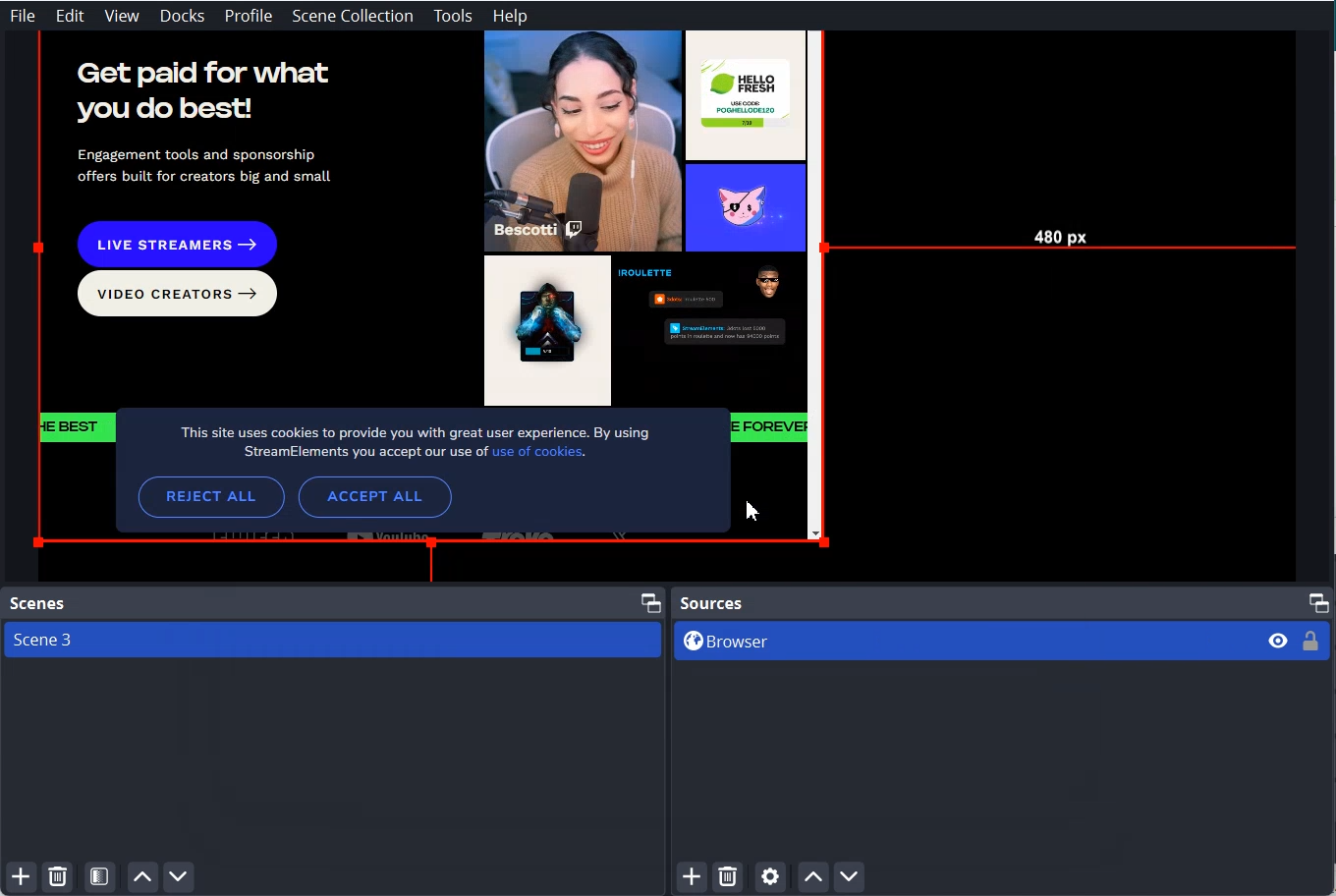 Image resolution: width=1336 pixels, height=896 pixels. Describe the element at coordinates (453, 17) in the screenshot. I see `Tools` at that location.